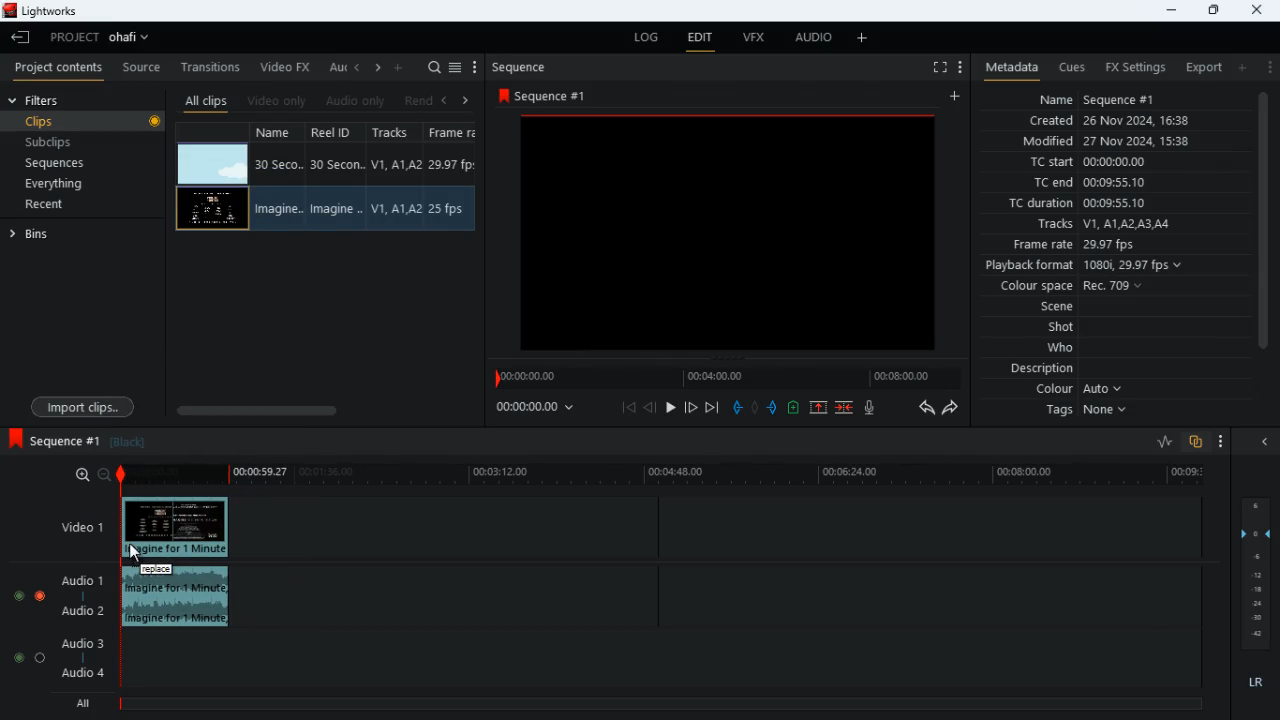  Describe the element at coordinates (960, 65) in the screenshot. I see `more` at that location.